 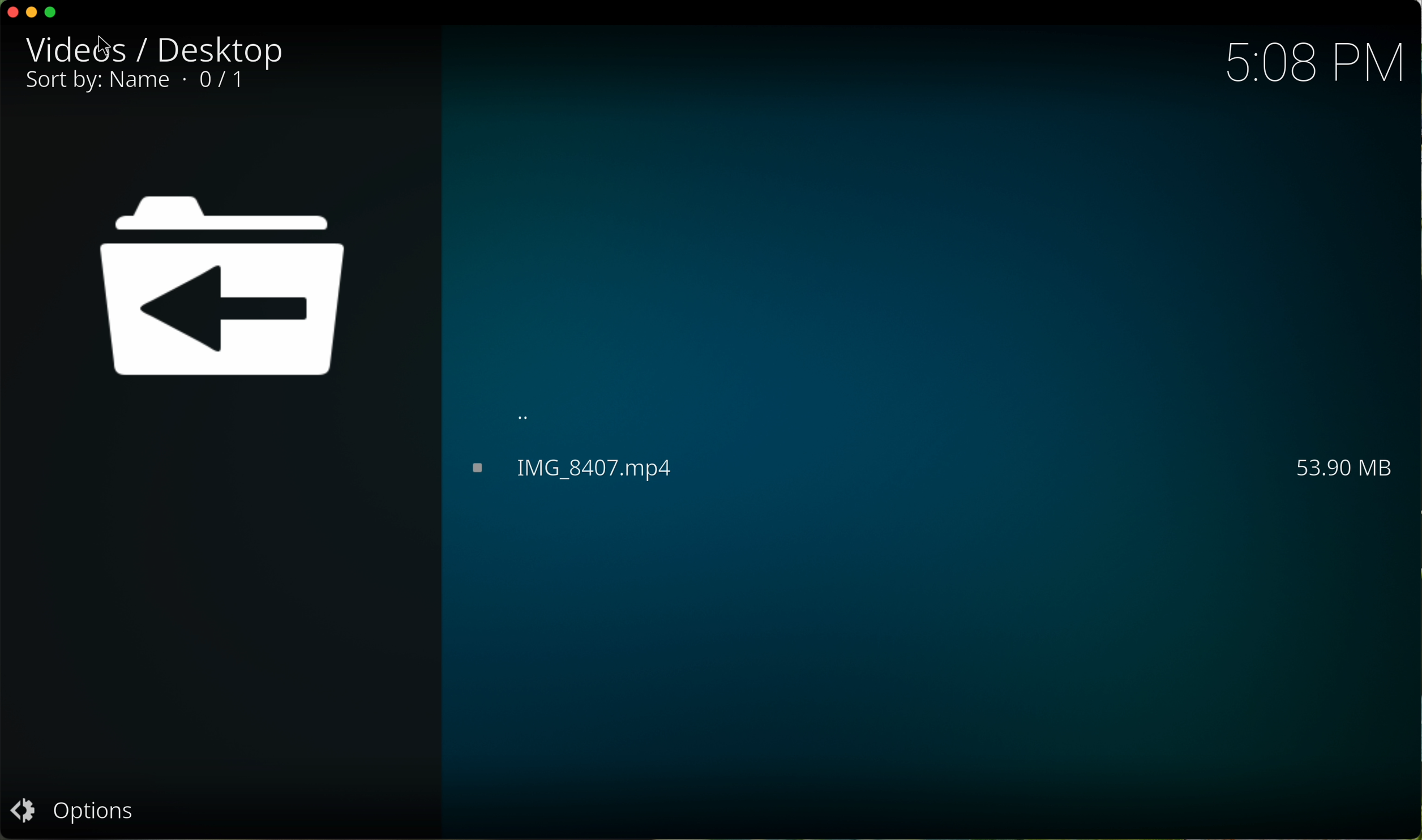 I want to click on 5:08 PM, so click(x=1314, y=64).